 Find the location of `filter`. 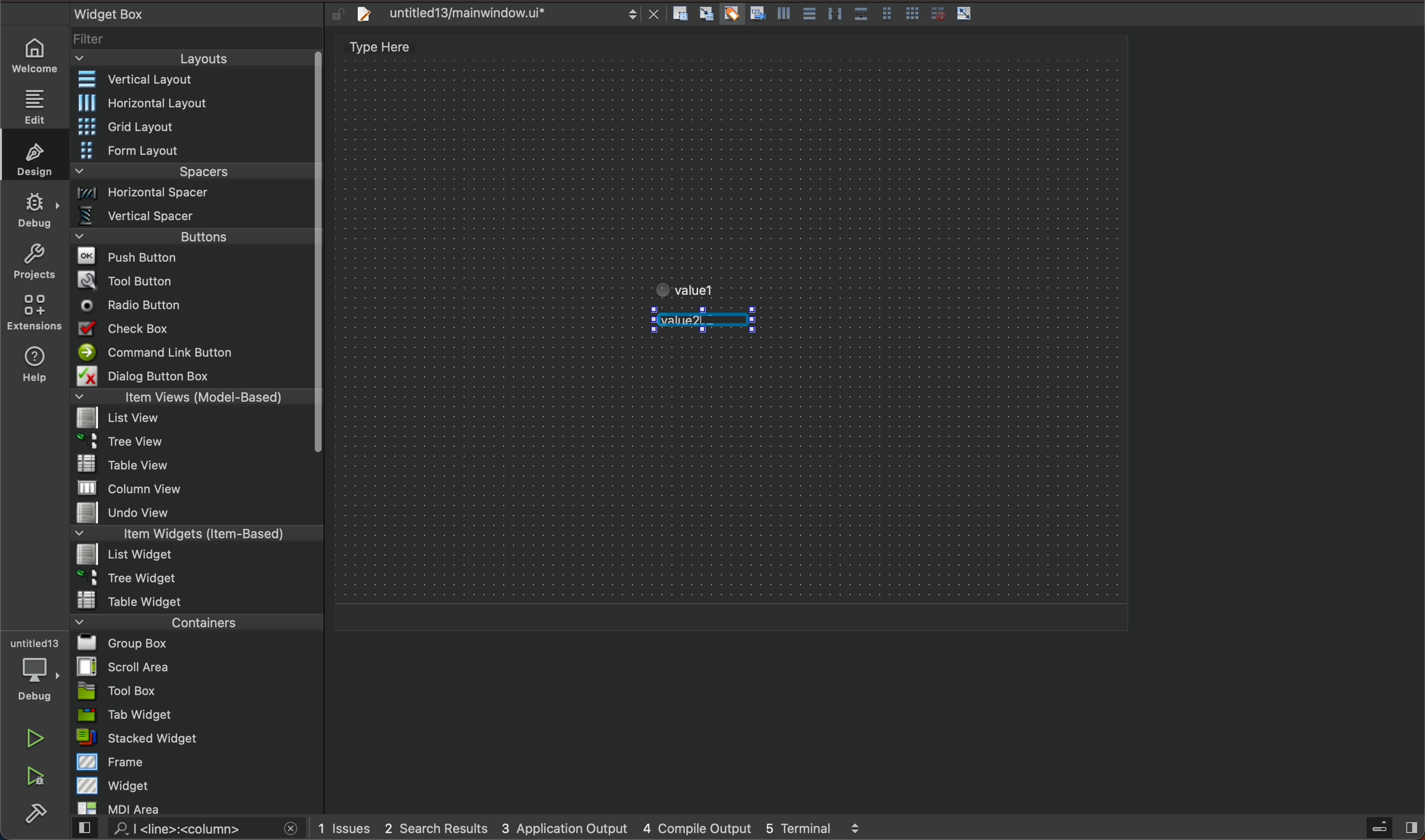

filter is located at coordinates (198, 43).